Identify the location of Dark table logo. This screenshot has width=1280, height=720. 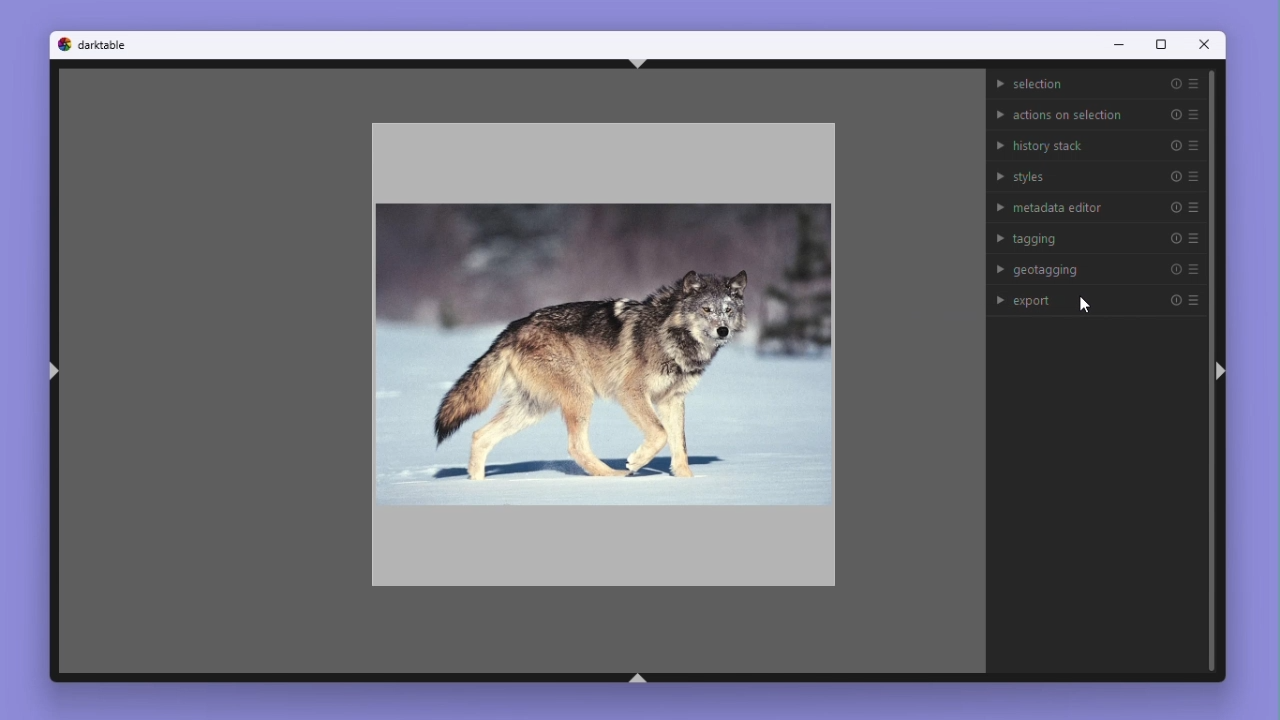
(94, 46).